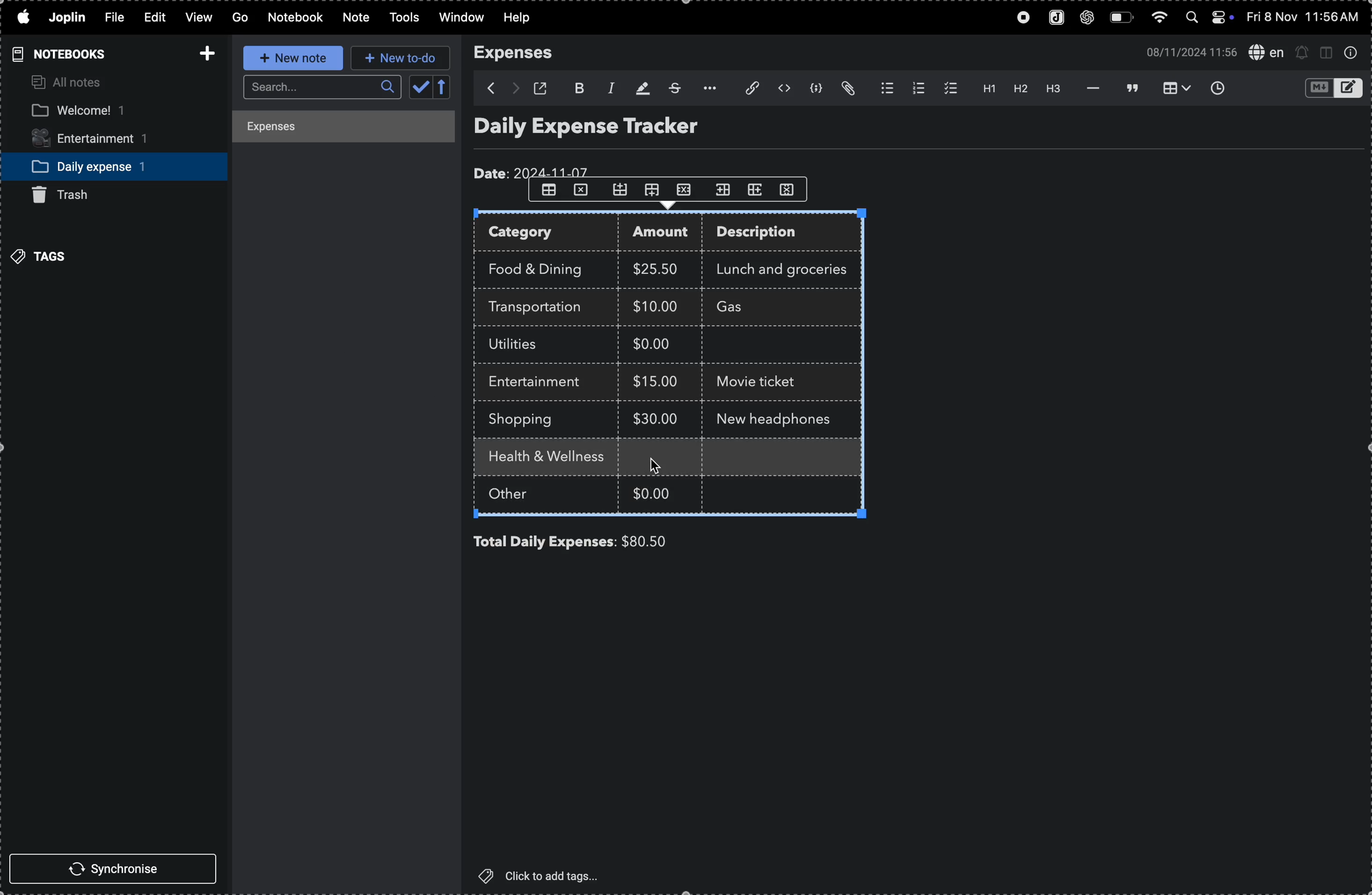 This screenshot has height=895, width=1372. What do you see at coordinates (69, 17) in the screenshot?
I see `joplin` at bounding box center [69, 17].